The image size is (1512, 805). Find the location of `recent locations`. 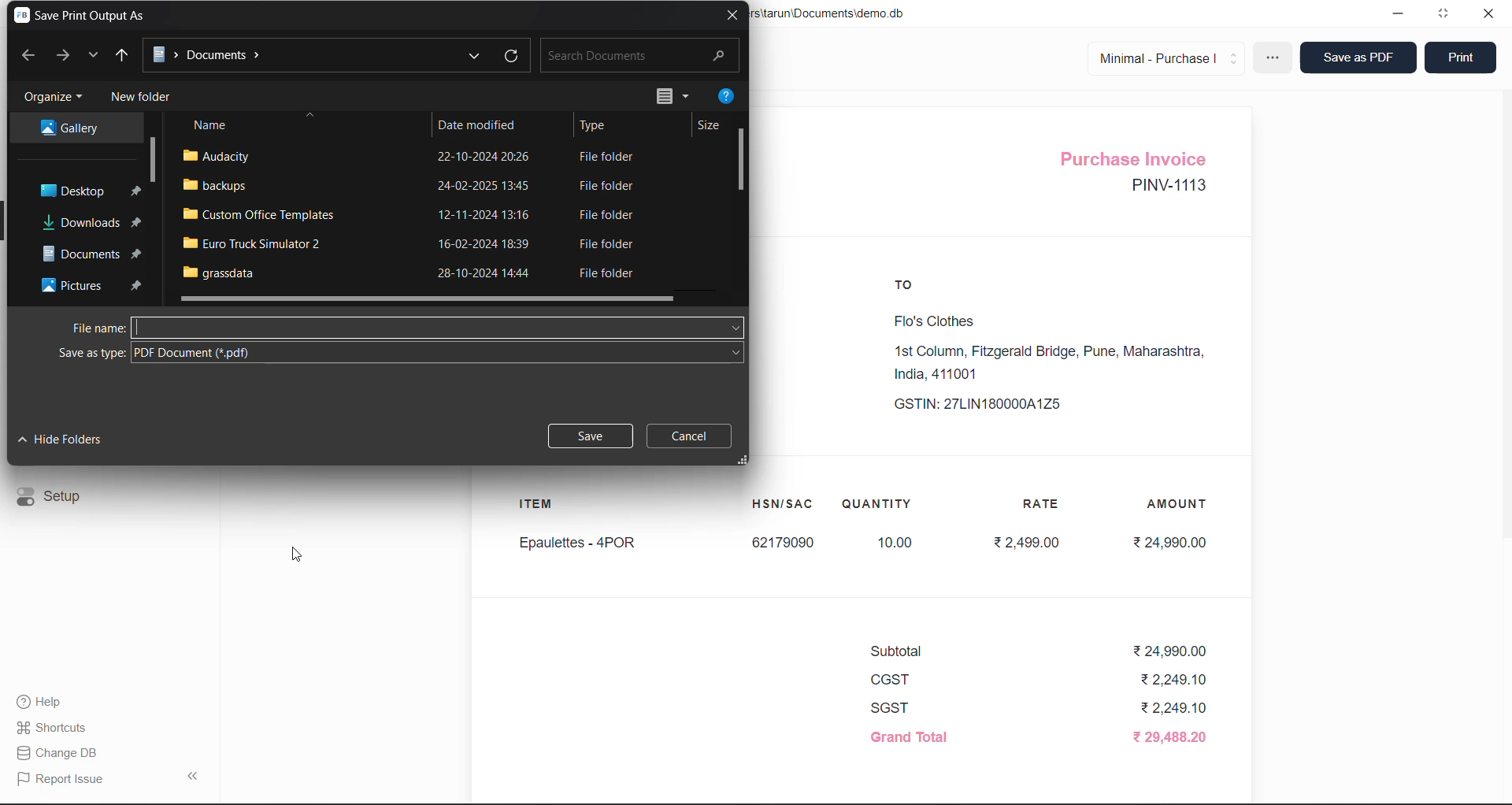

recent locations is located at coordinates (93, 57).